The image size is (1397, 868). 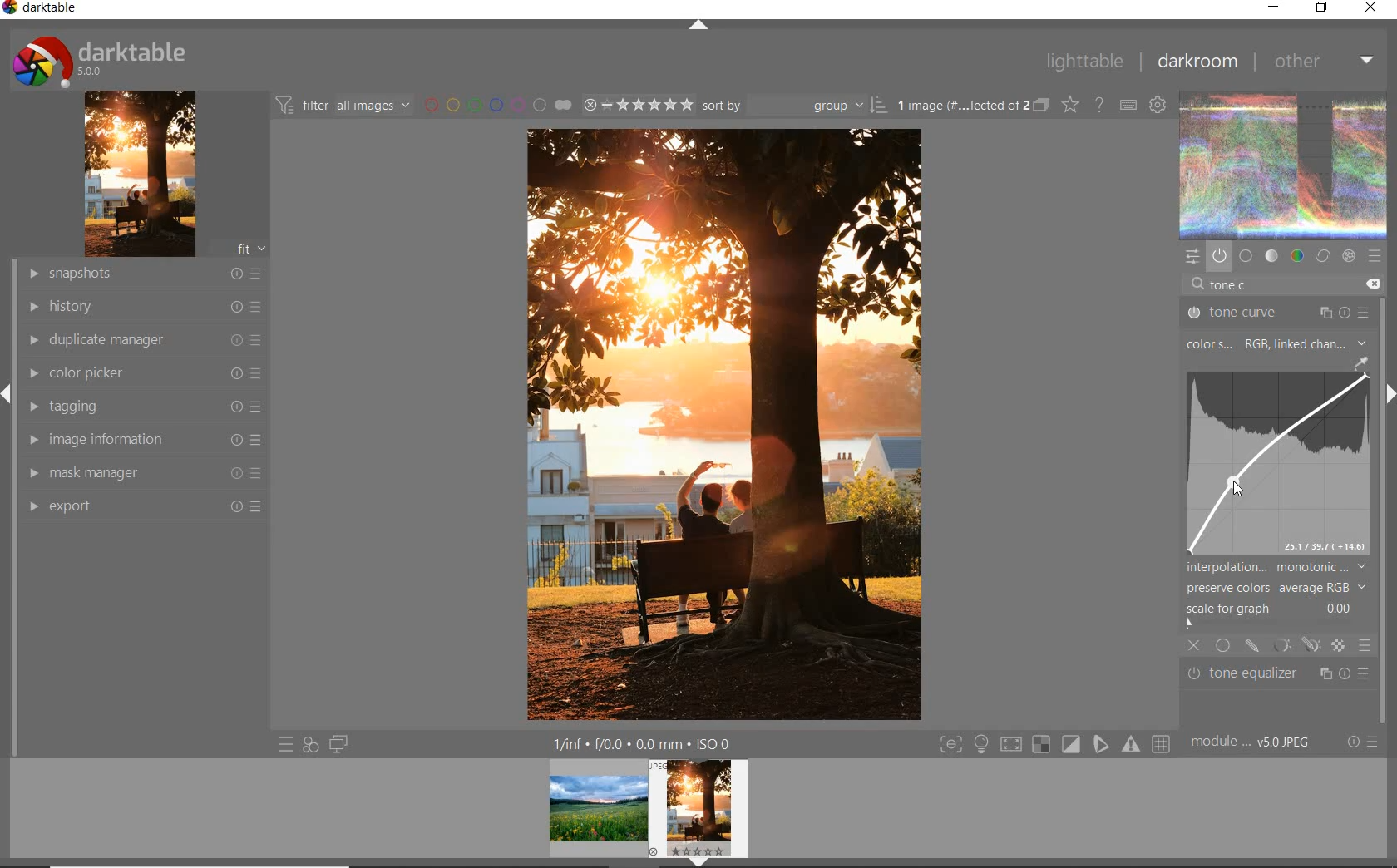 What do you see at coordinates (1196, 62) in the screenshot?
I see `darkroom` at bounding box center [1196, 62].